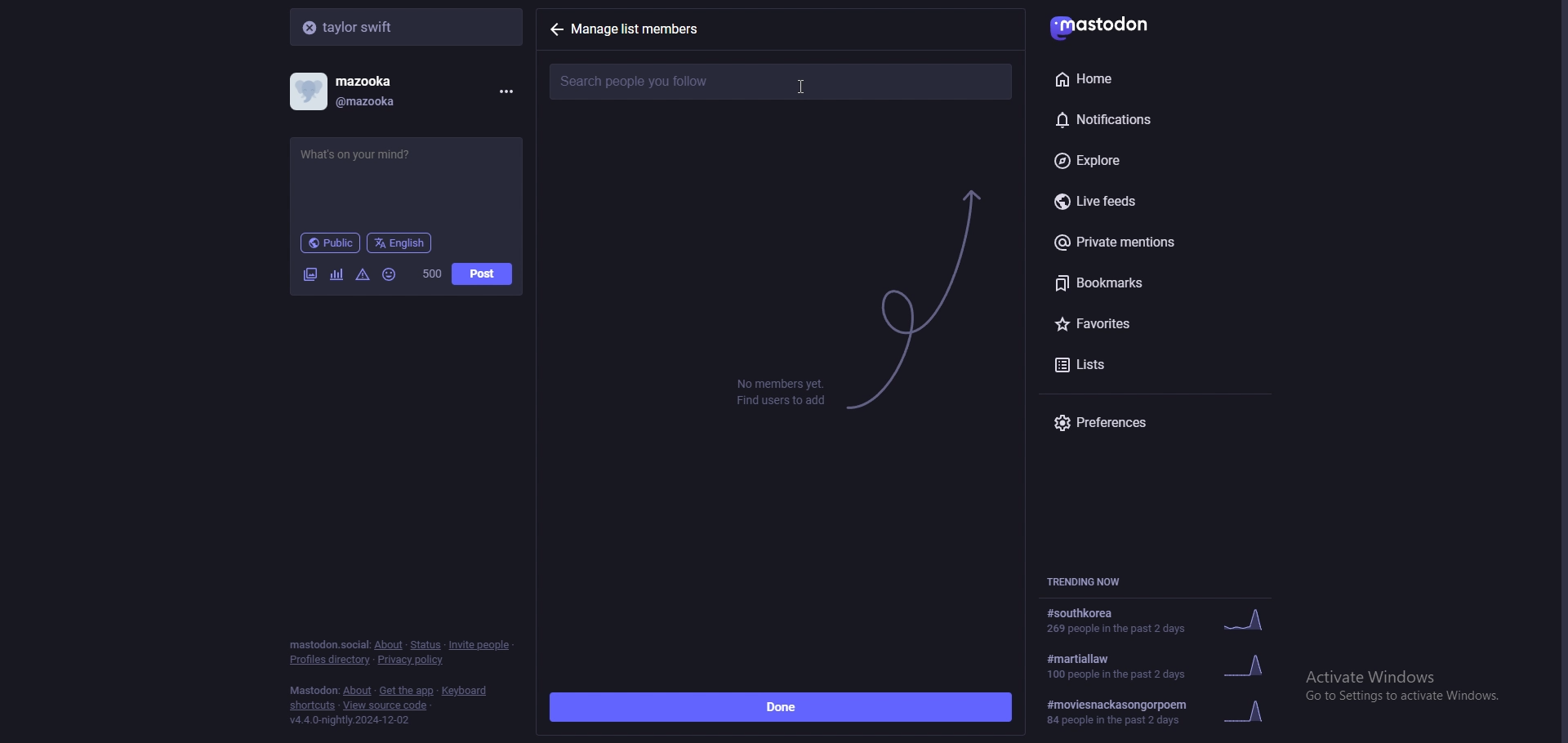 This screenshot has width=1568, height=743. I want to click on warning, so click(363, 274).